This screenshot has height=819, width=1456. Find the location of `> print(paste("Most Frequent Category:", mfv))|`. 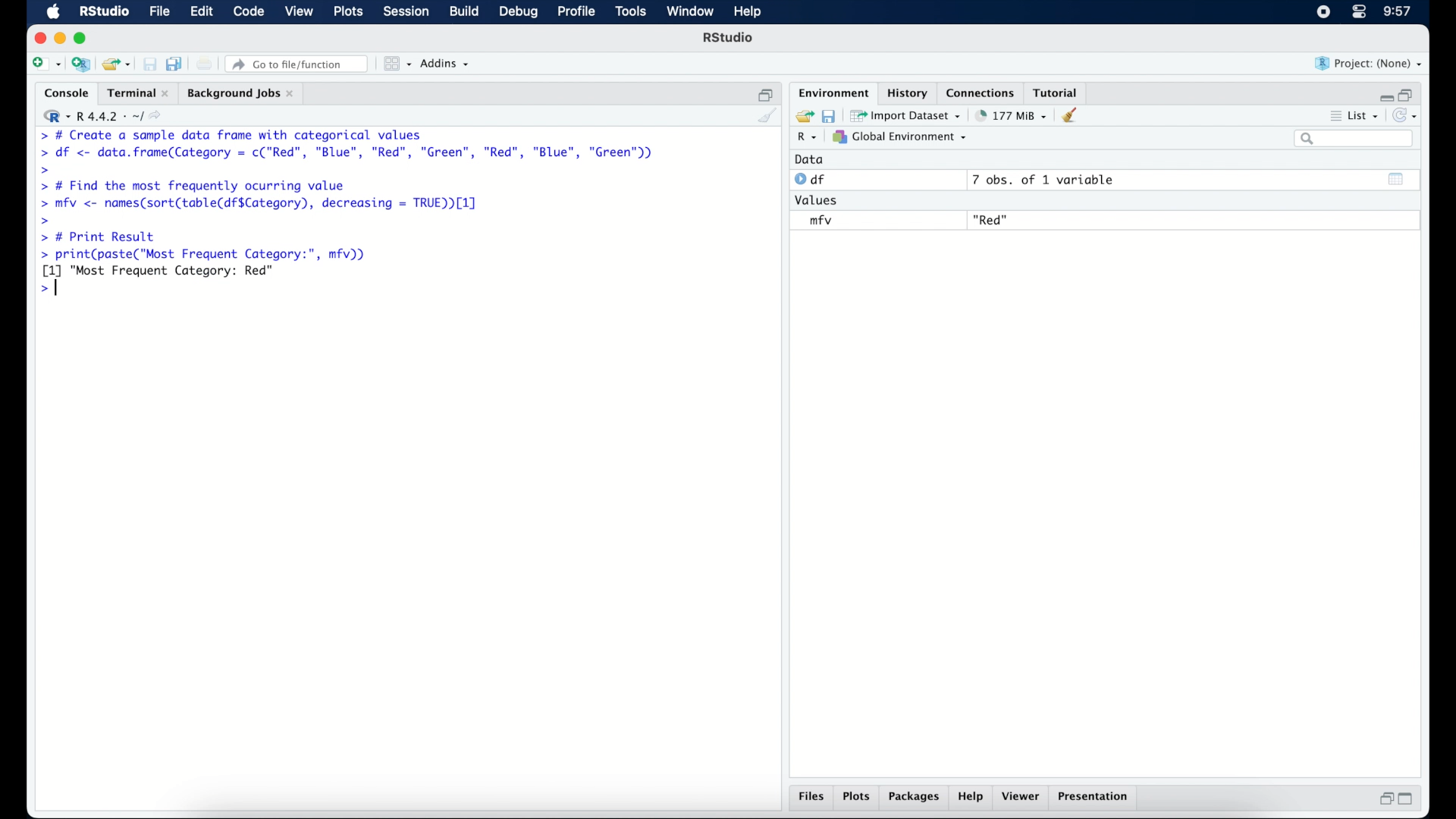

> print(paste("Most Frequent Category:", mfv))| is located at coordinates (210, 253).